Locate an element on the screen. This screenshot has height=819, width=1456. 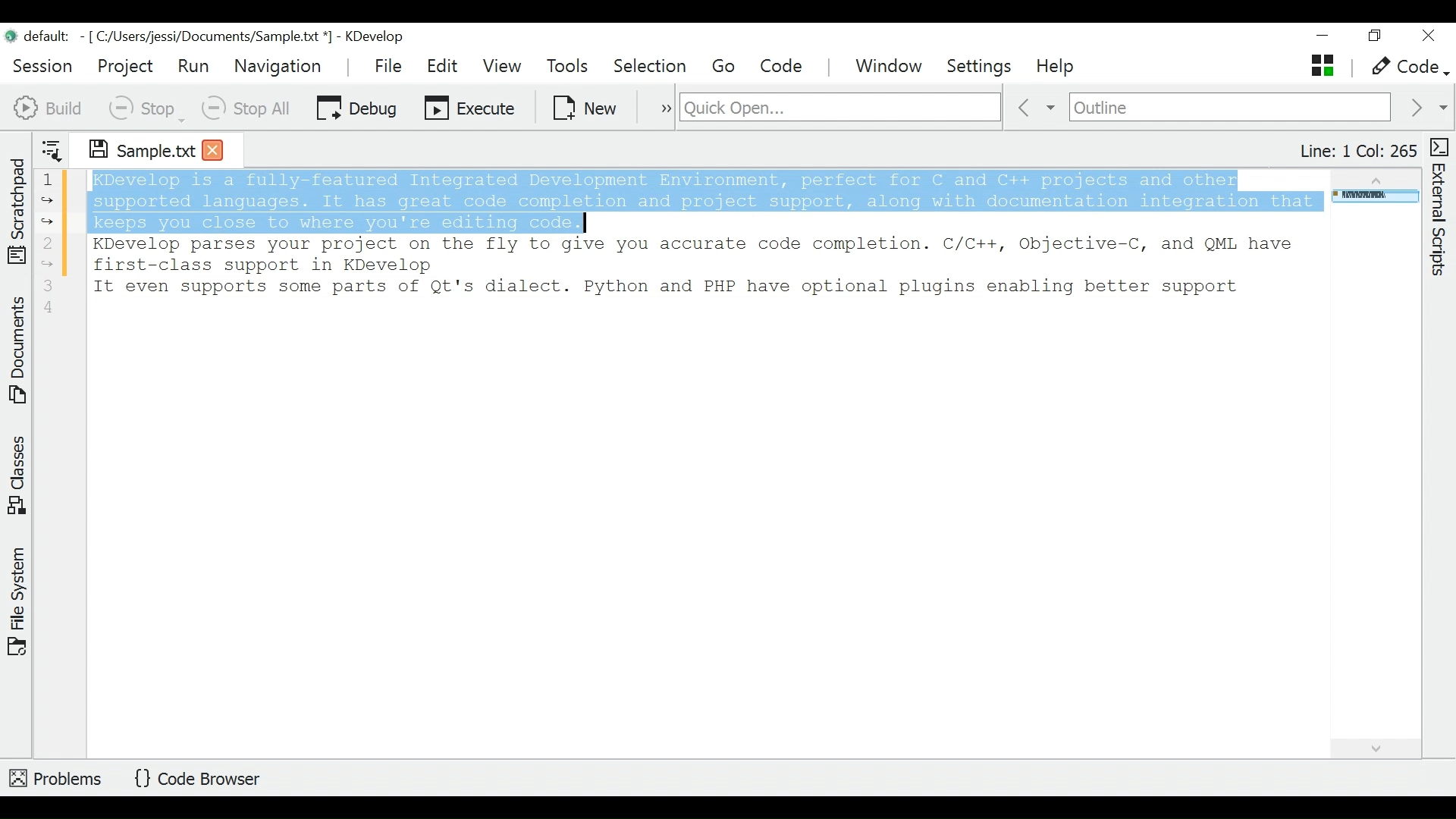
Quick Open... is located at coordinates (838, 108).